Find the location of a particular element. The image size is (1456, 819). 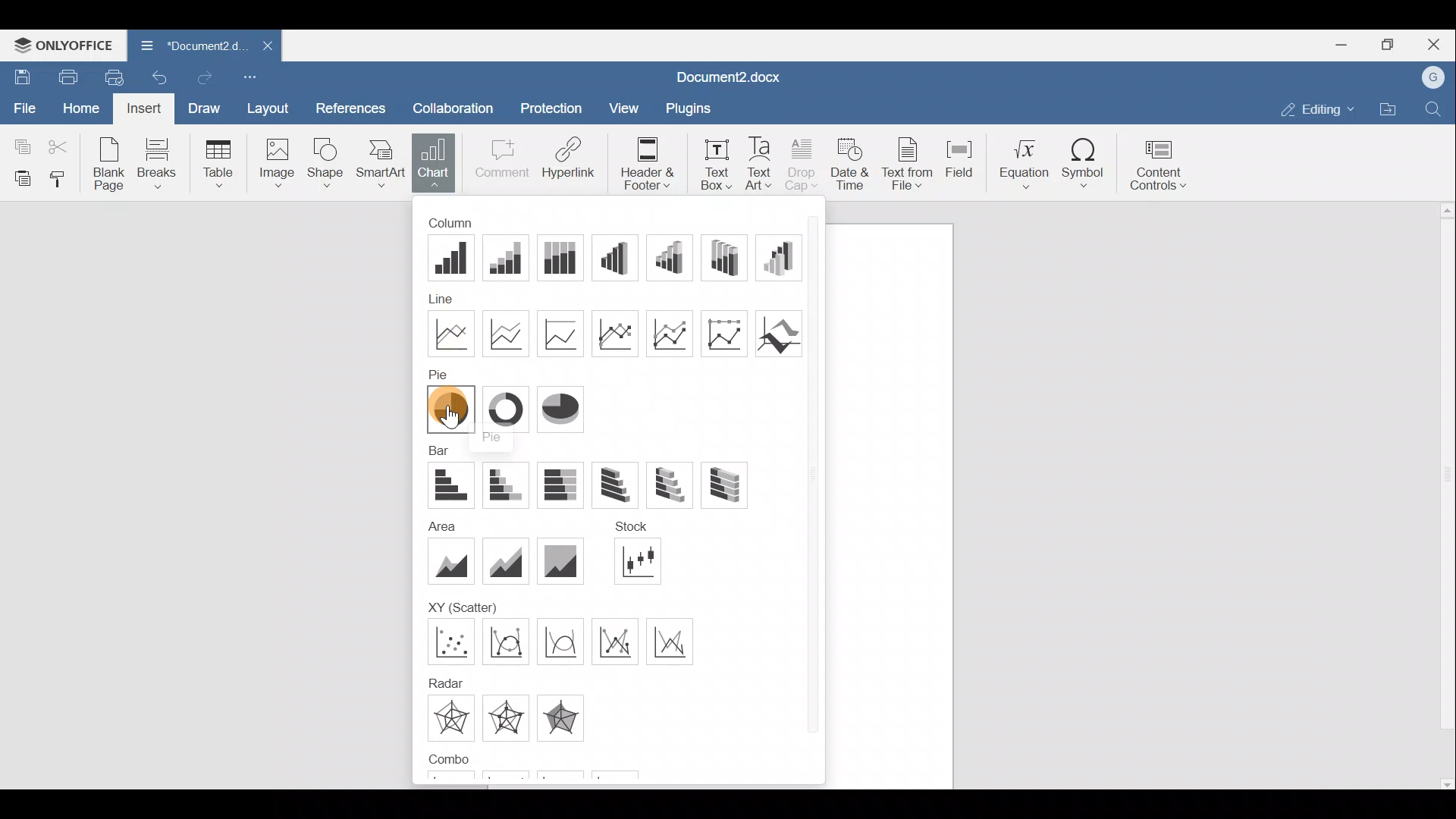

Clustered column is located at coordinates (450, 261).